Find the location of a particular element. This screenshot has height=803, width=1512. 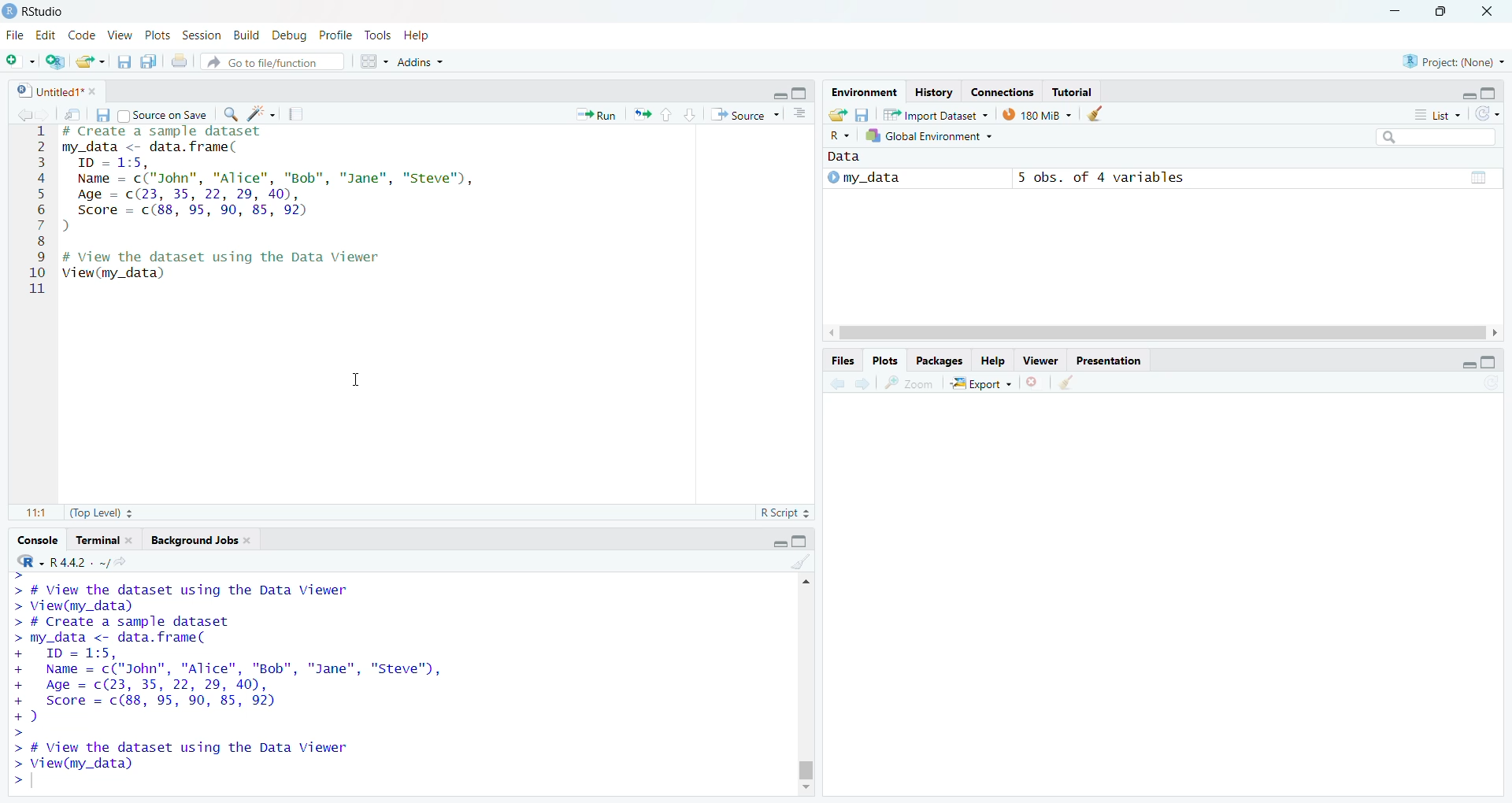

Plots is located at coordinates (157, 37).